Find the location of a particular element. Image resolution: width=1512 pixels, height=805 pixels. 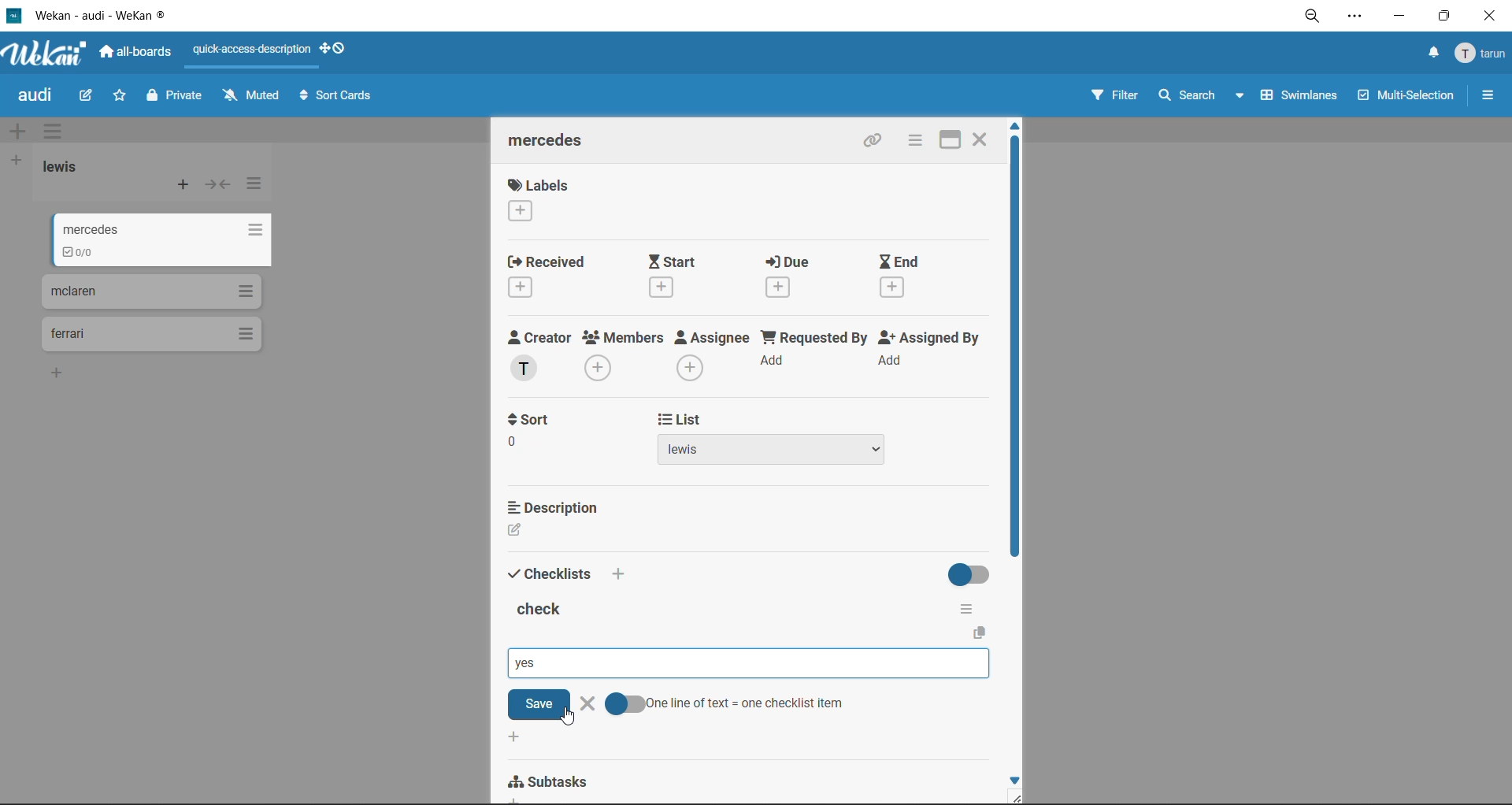

checklist option  is located at coordinates (532, 661).